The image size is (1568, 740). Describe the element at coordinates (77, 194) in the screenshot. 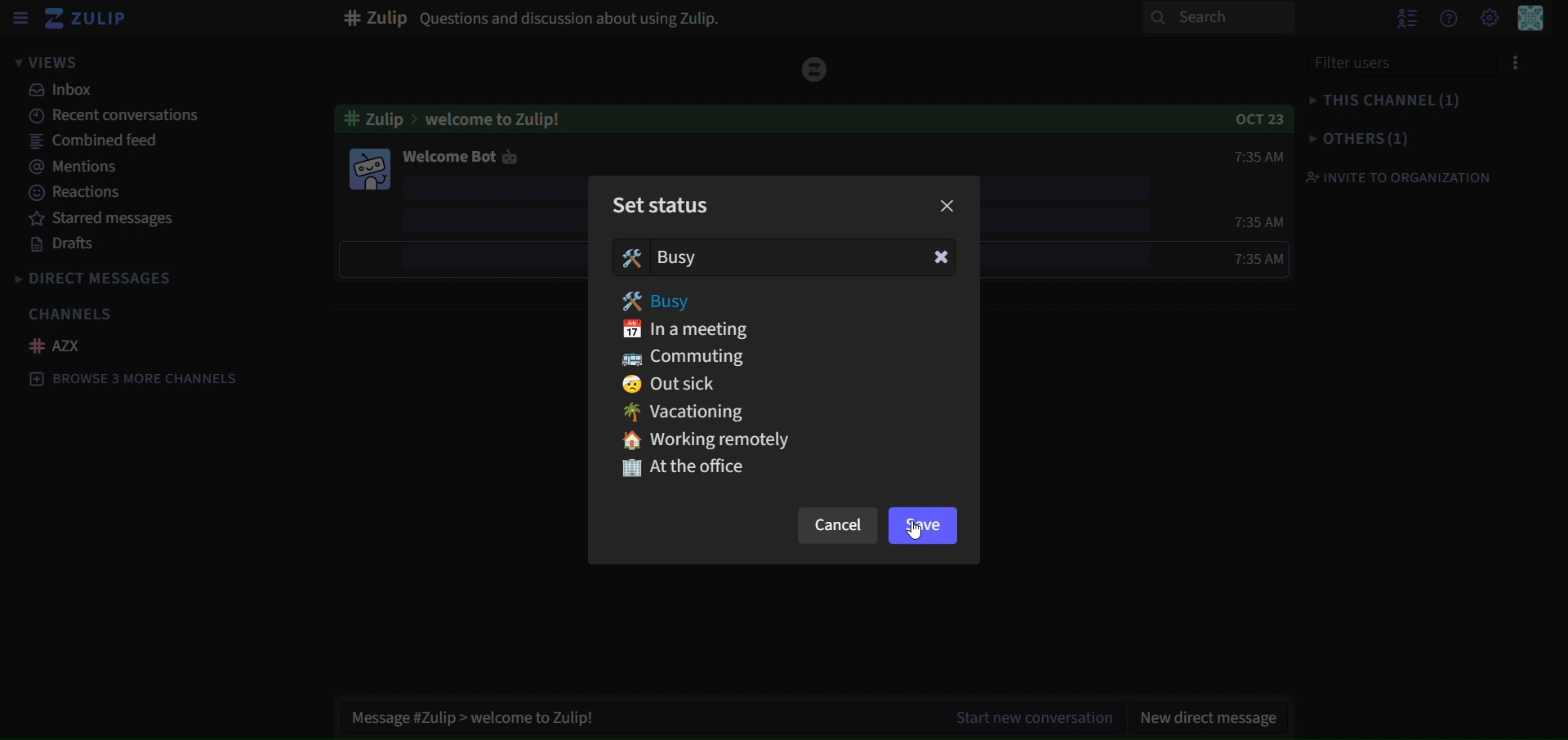

I see `reactions` at that location.